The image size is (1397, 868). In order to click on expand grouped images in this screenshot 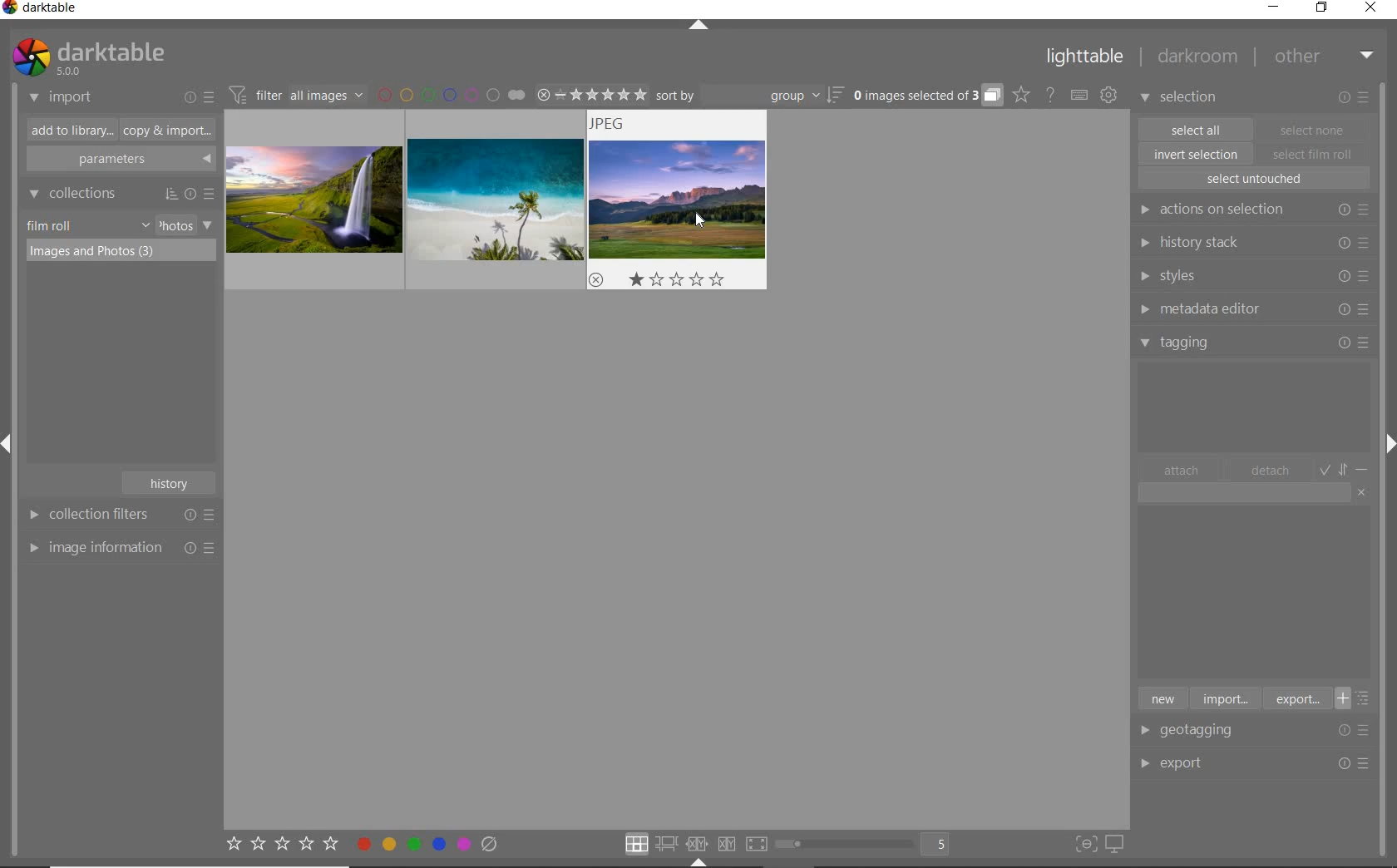, I will do `click(926, 96)`.